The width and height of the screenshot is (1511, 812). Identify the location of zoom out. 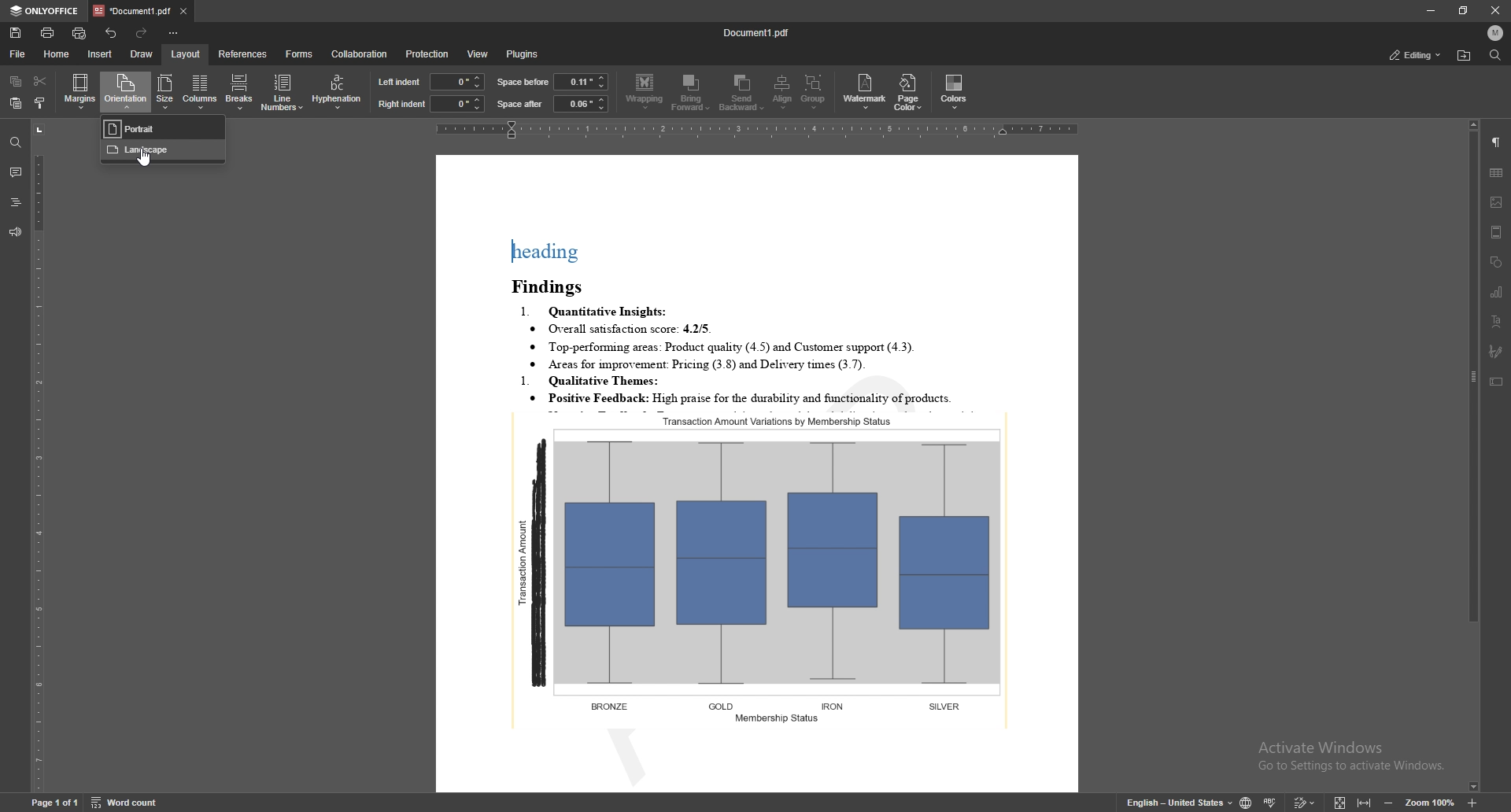
(1388, 803).